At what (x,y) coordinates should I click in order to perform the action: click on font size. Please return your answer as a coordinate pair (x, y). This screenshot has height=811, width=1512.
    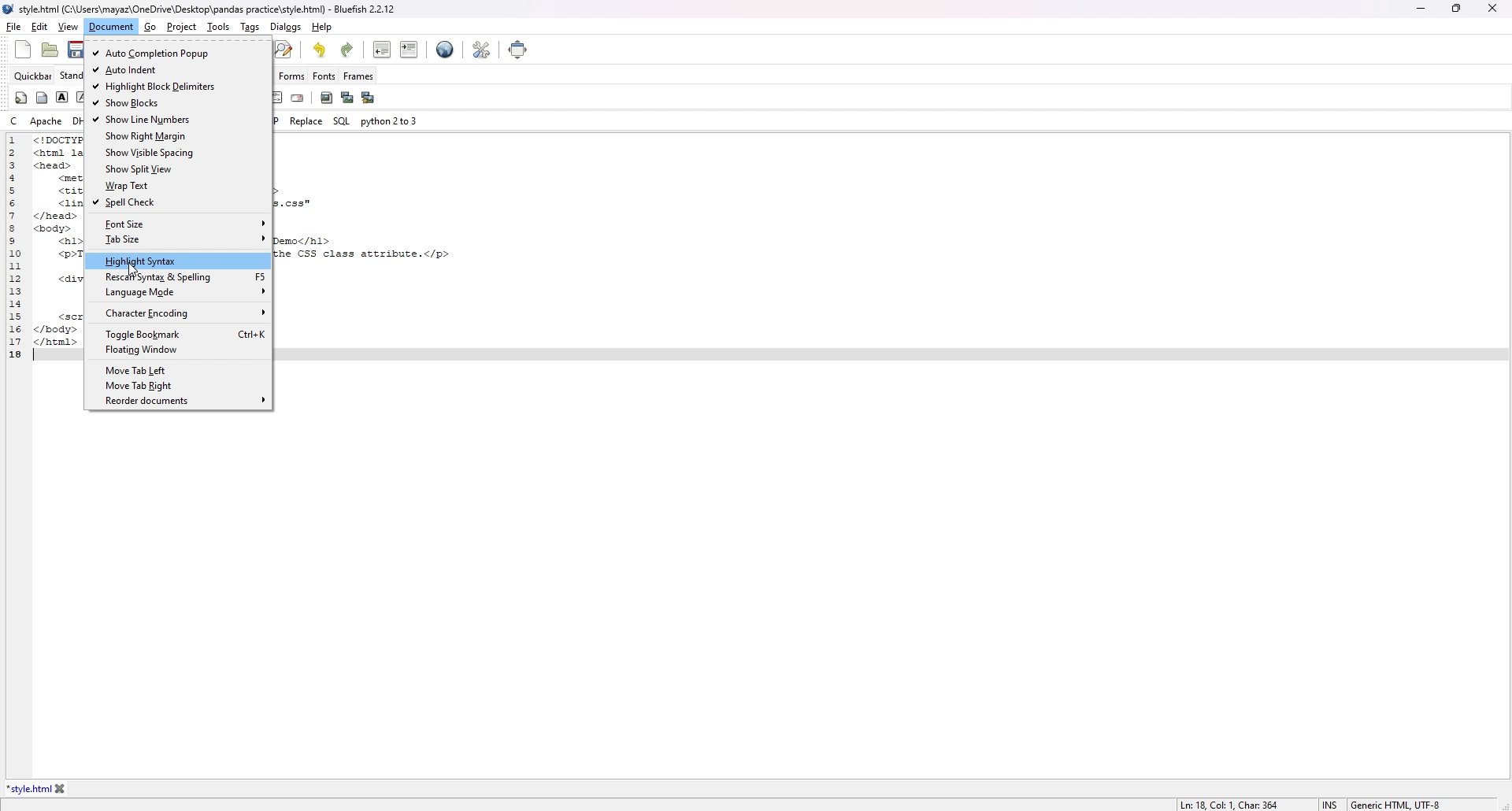
    Looking at the image, I should click on (179, 224).